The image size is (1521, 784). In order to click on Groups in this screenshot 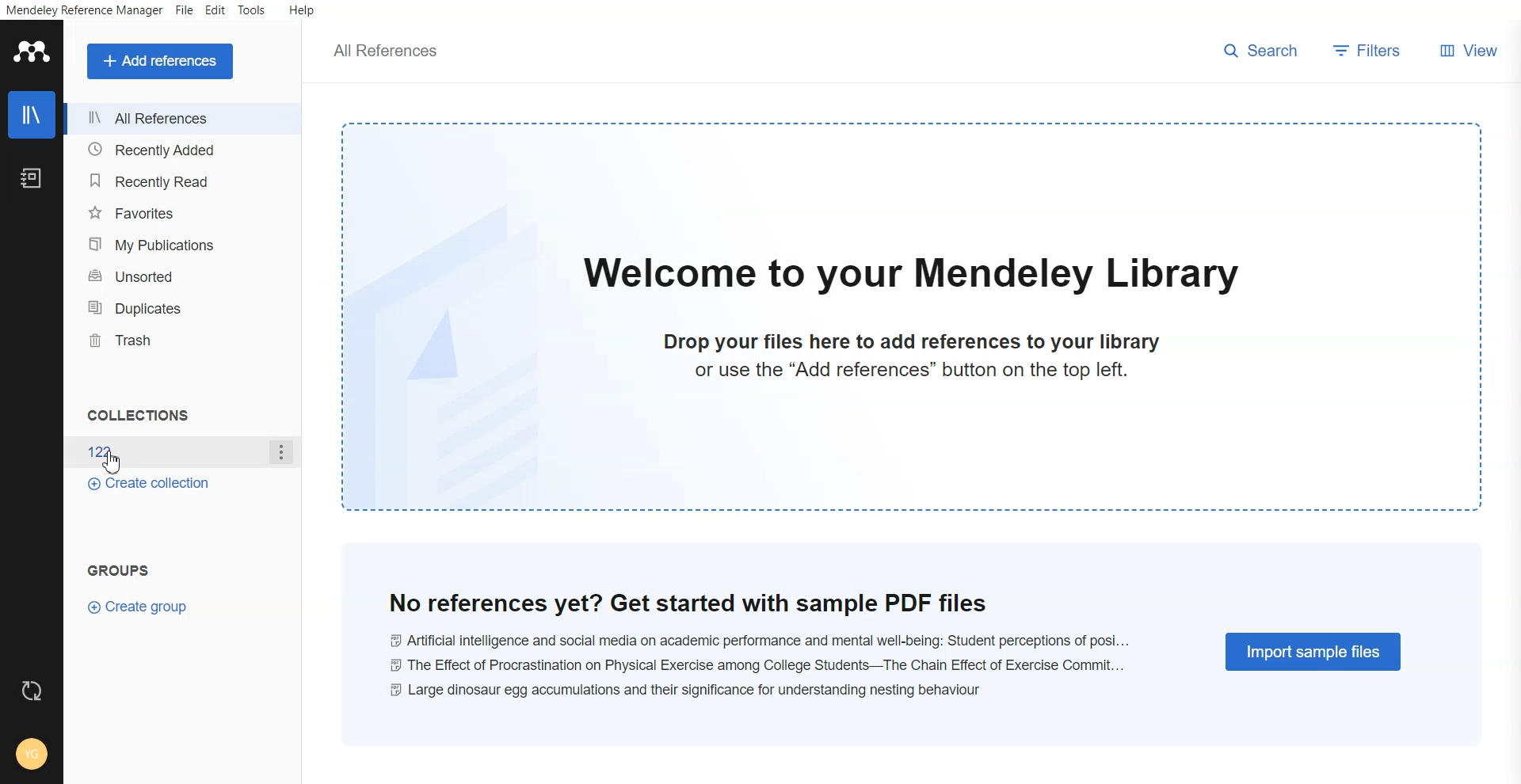, I will do `click(125, 568)`.